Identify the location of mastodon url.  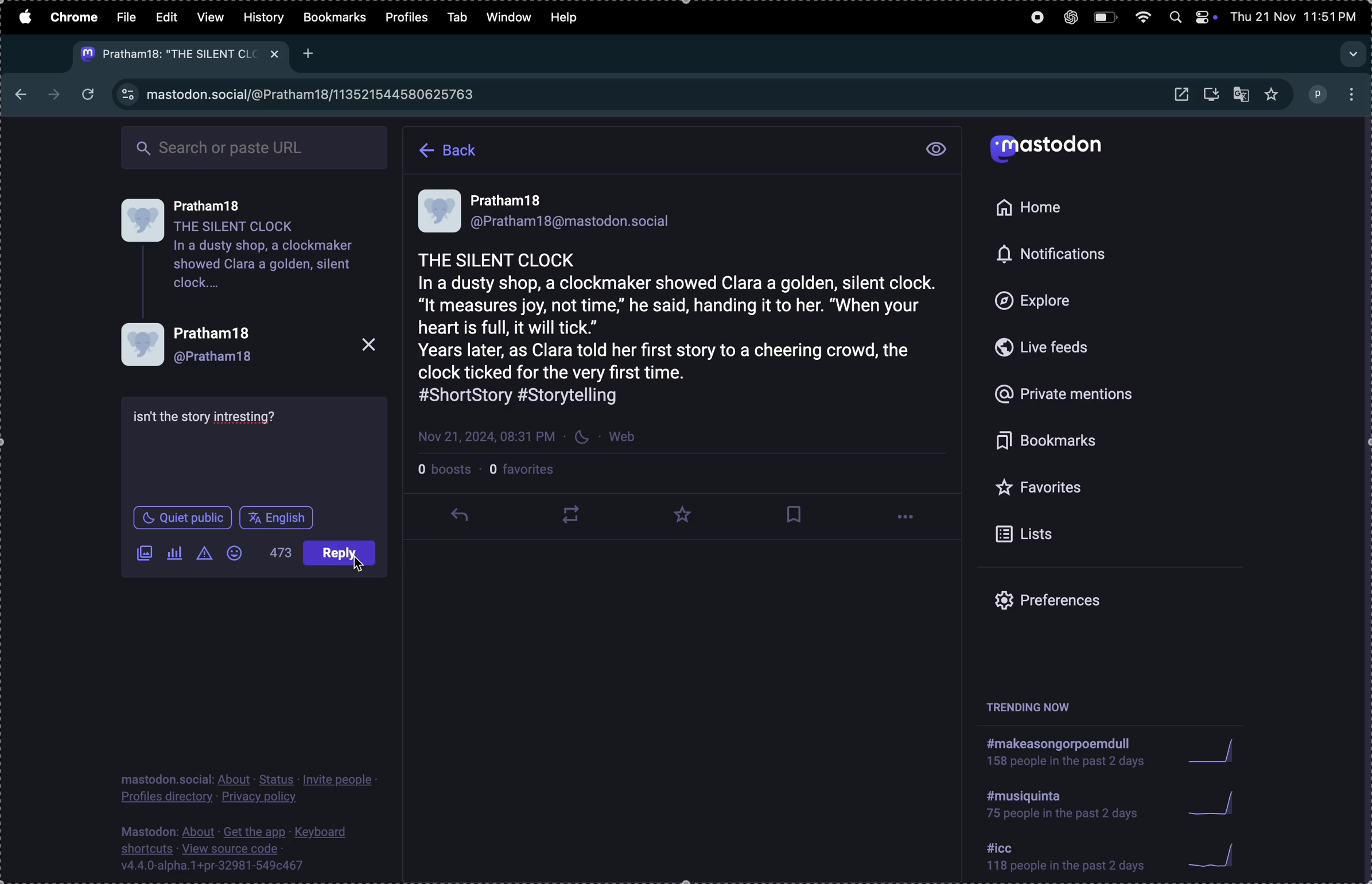
(316, 96).